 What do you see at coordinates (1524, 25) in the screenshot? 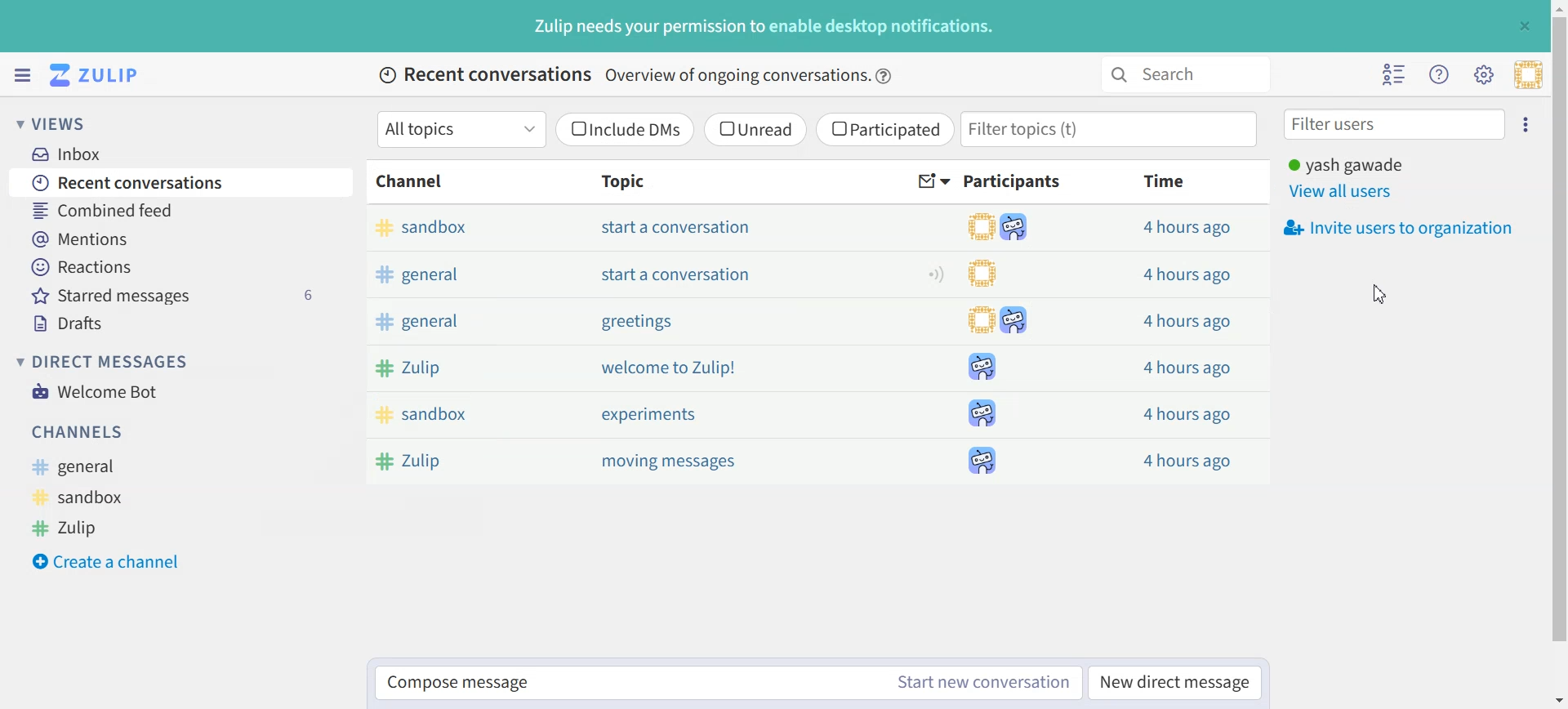
I see `Close` at bounding box center [1524, 25].